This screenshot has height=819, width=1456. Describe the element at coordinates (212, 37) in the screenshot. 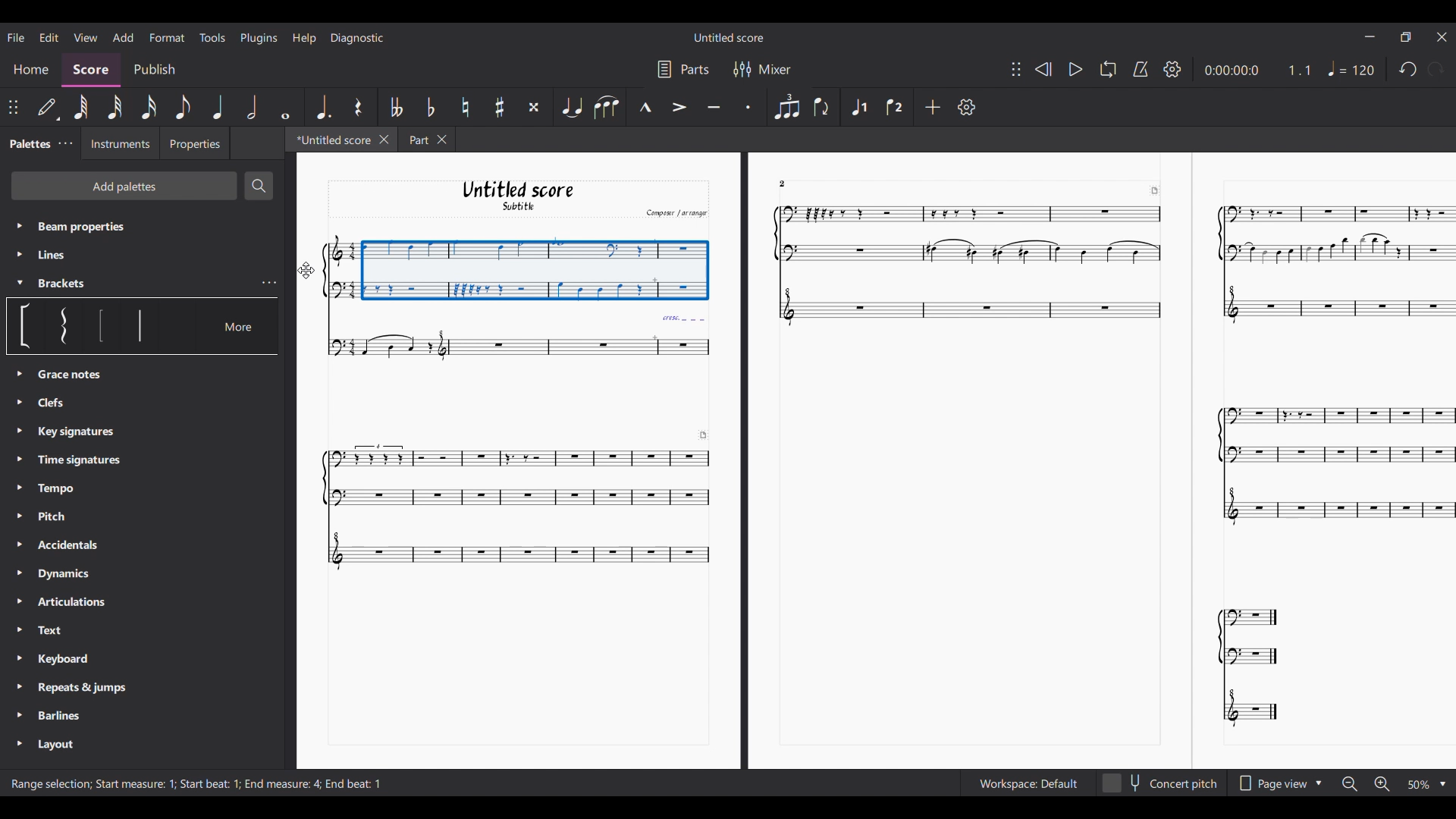

I see `Tools` at that location.